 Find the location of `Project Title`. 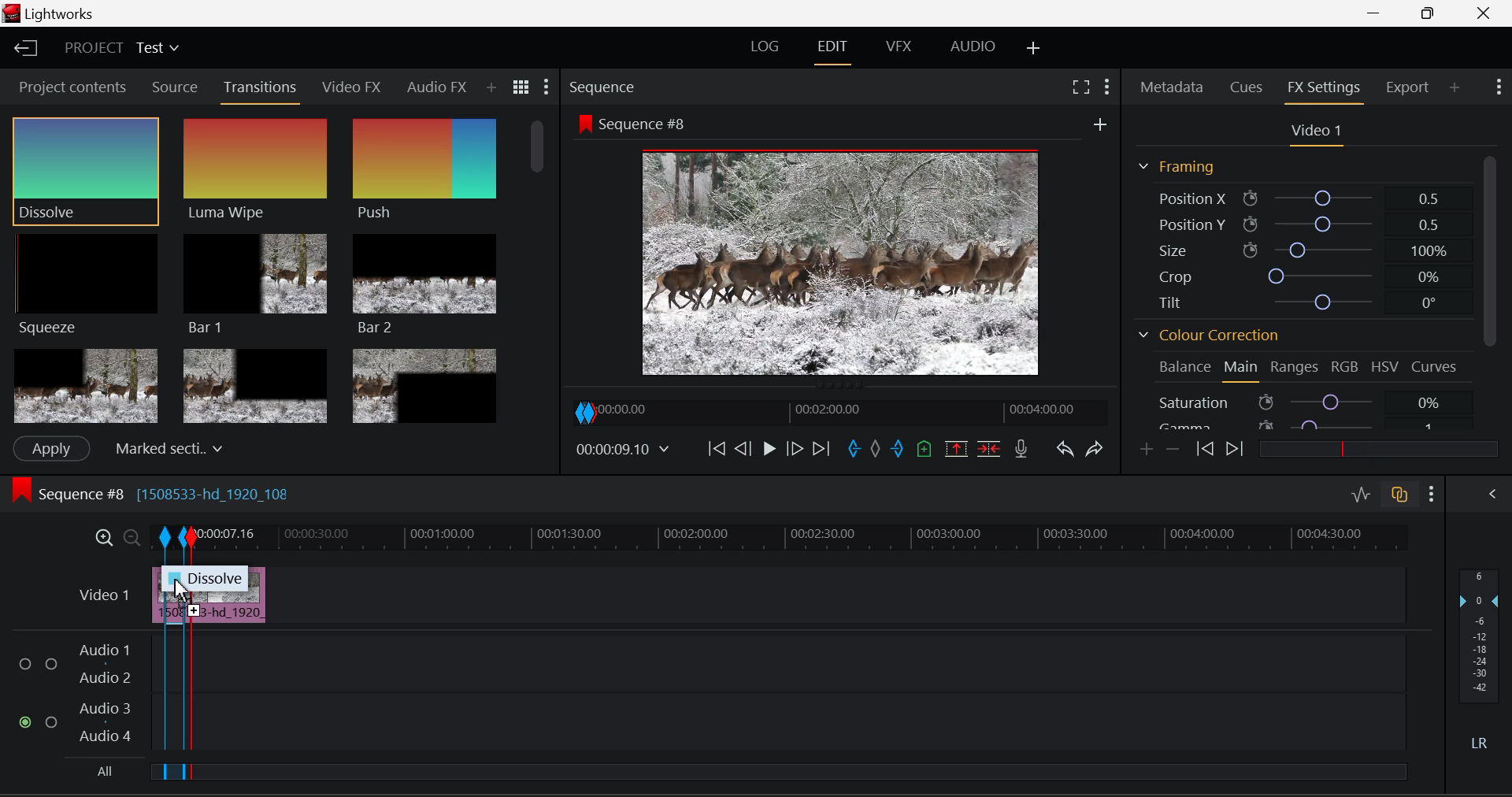

Project Title is located at coordinates (120, 46).